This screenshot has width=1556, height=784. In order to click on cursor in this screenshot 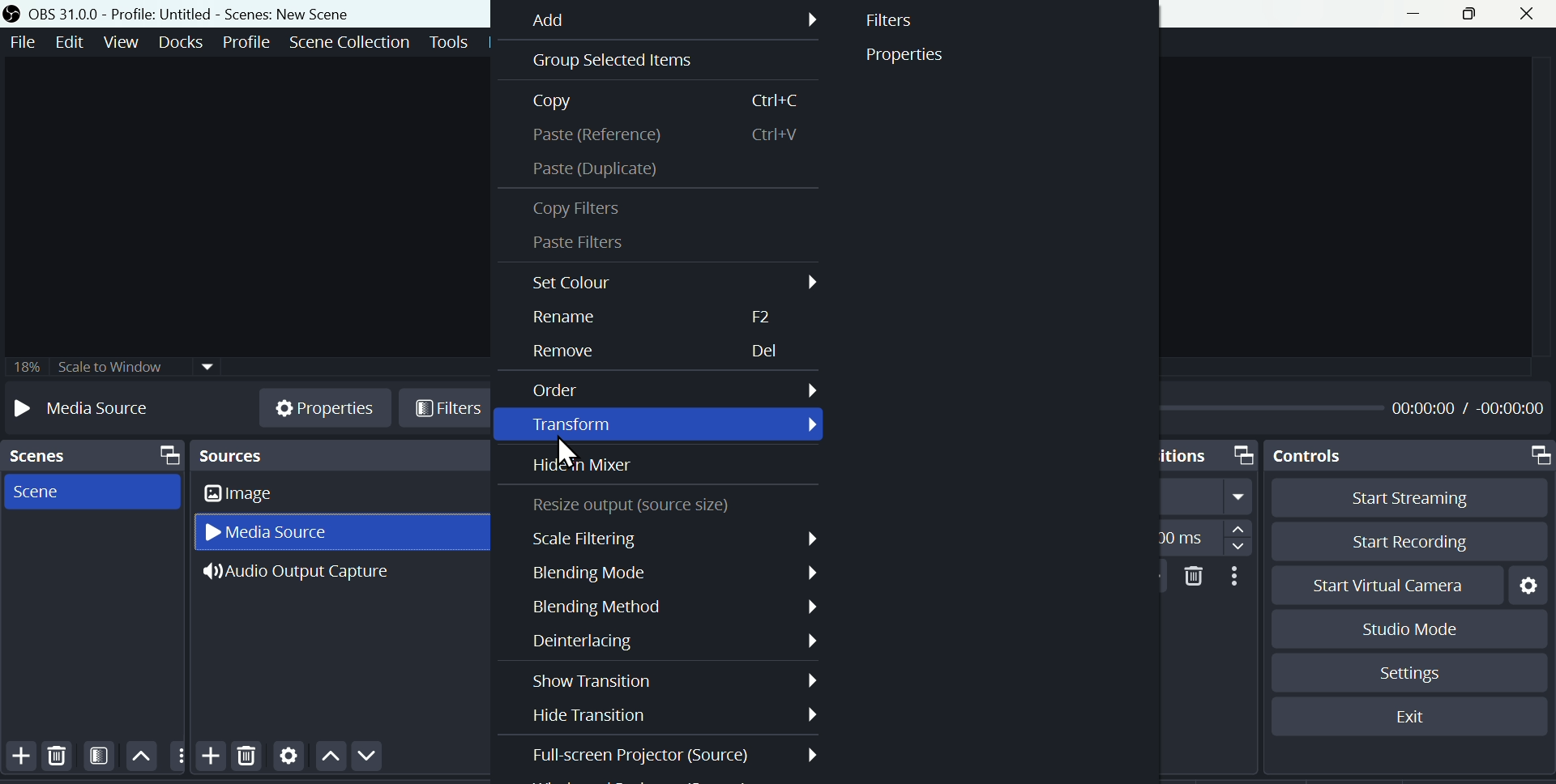, I will do `click(563, 450)`.